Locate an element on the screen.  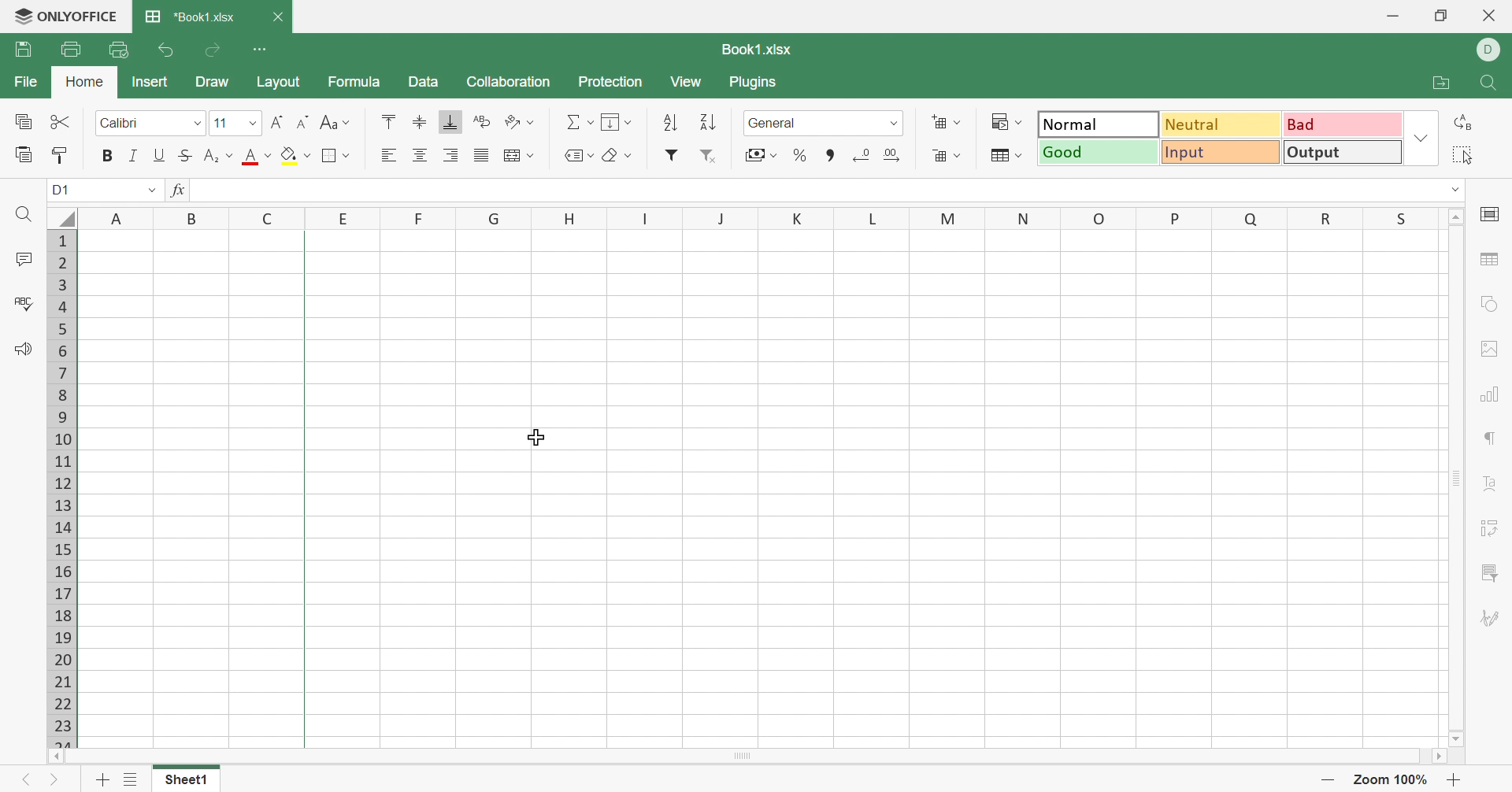
Book1.xlsx is located at coordinates (759, 47).